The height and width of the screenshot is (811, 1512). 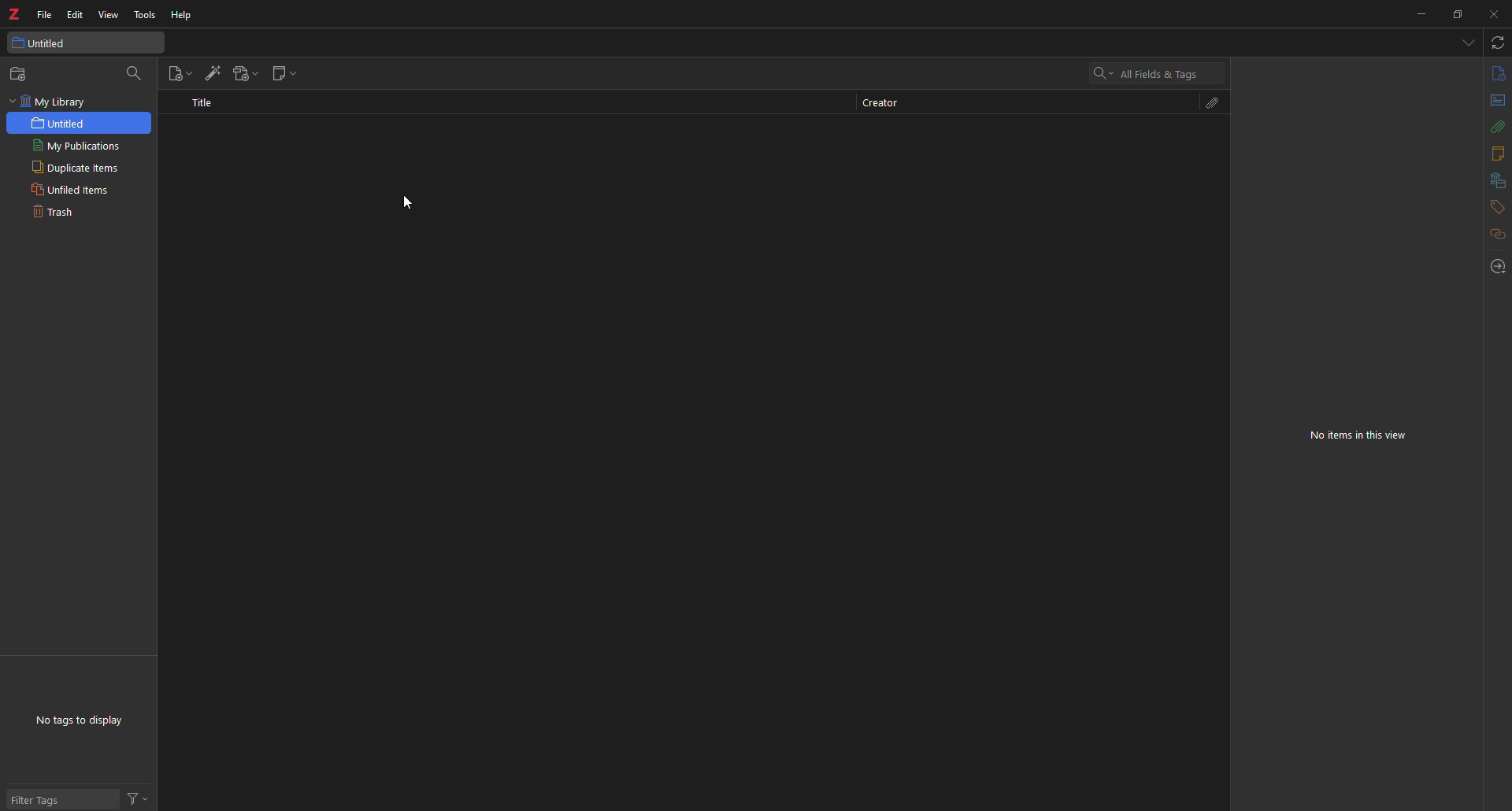 I want to click on 2 items in this view, so click(x=1367, y=435).